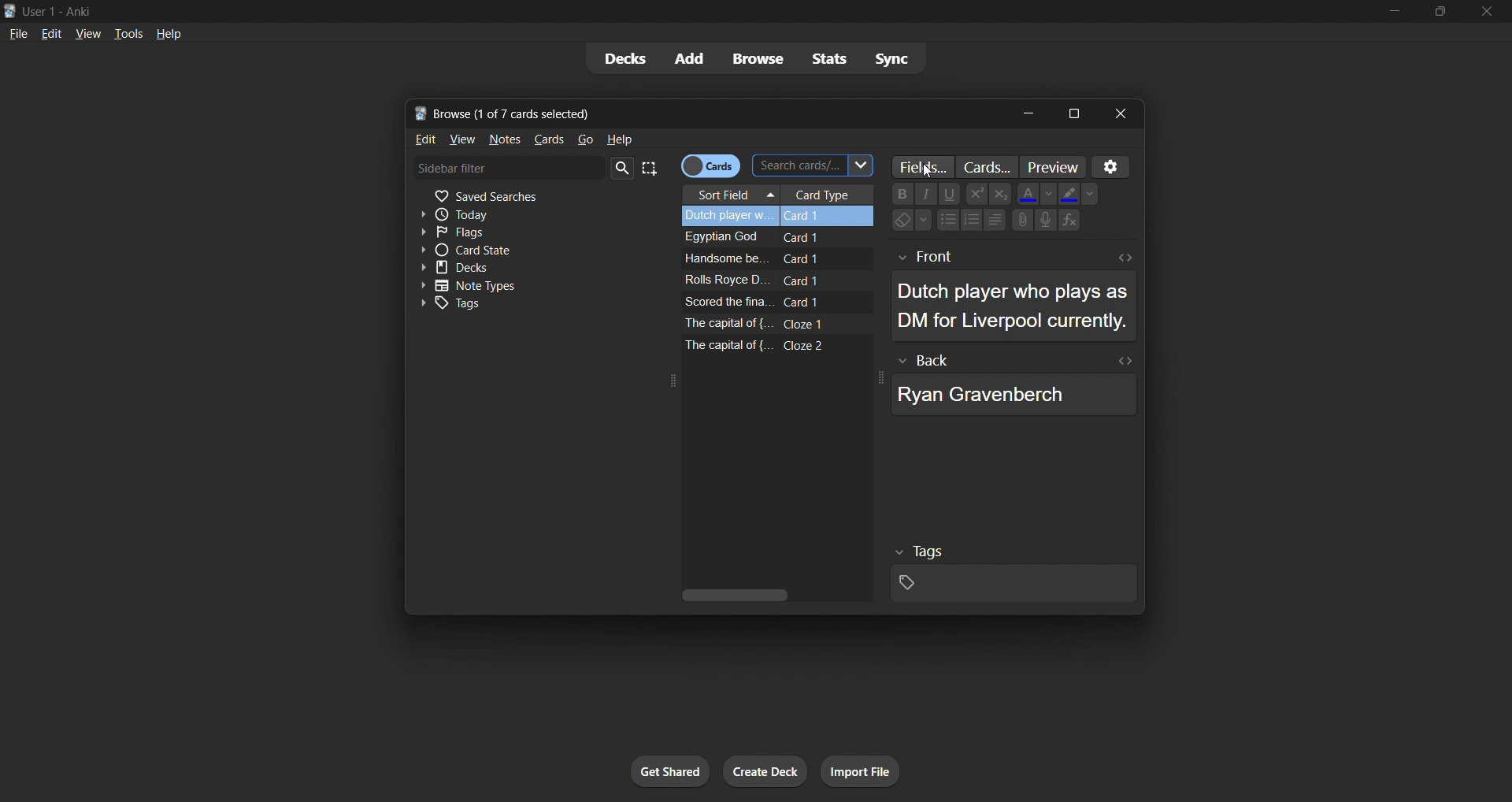 This screenshot has width=1512, height=802. What do you see at coordinates (989, 167) in the screenshot?
I see `customize card templates` at bounding box center [989, 167].